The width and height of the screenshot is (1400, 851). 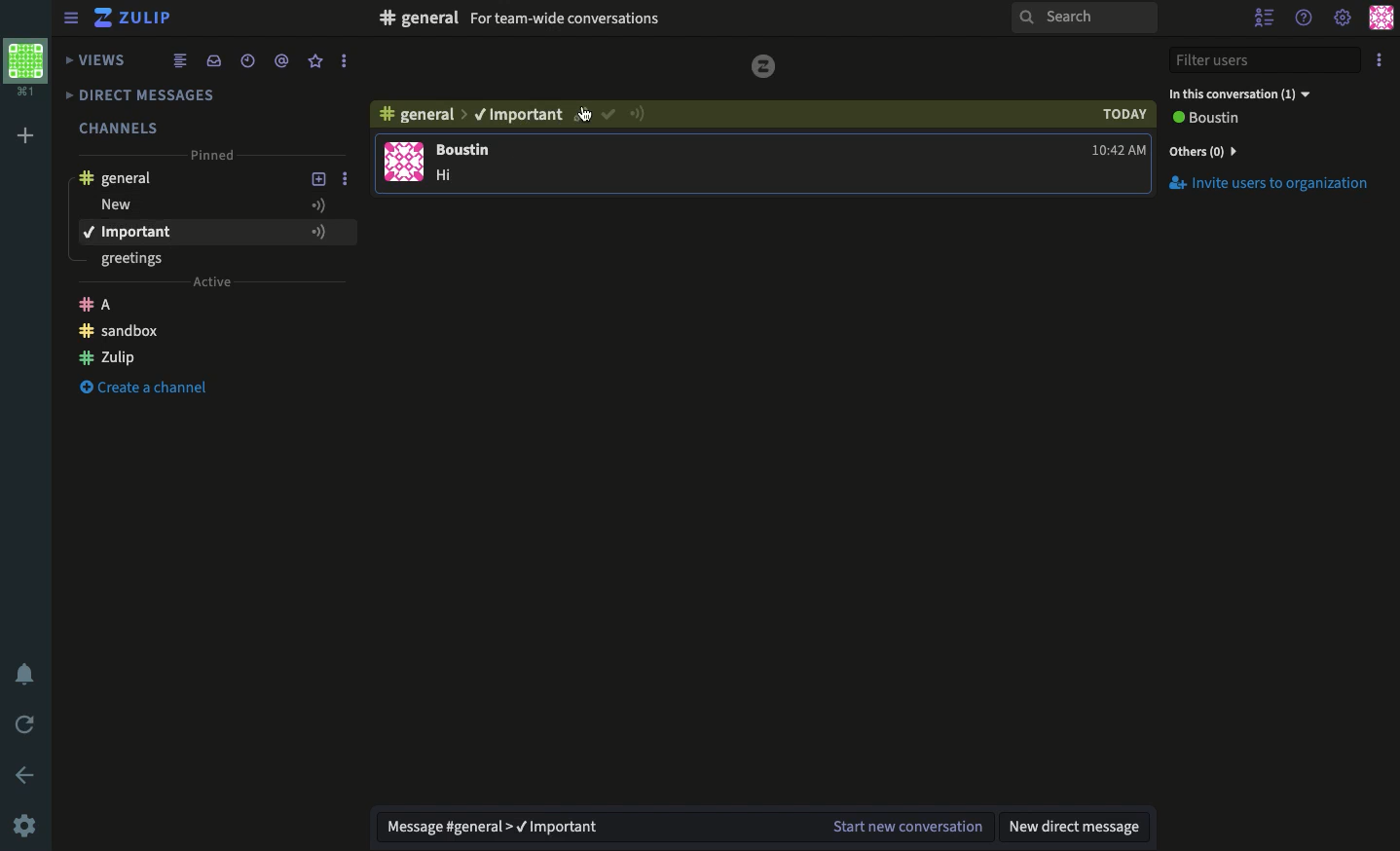 What do you see at coordinates (177, 360) in the screenshot?
I see `Zulip` at bounding box center [177, 360].